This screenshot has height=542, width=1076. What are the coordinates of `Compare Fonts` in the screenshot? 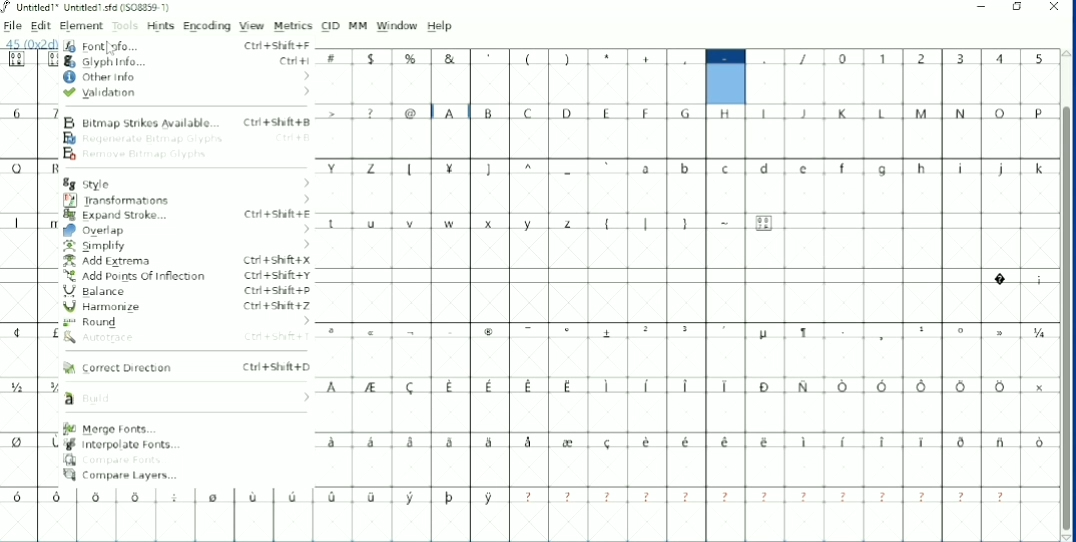 It's located at (114, 460).